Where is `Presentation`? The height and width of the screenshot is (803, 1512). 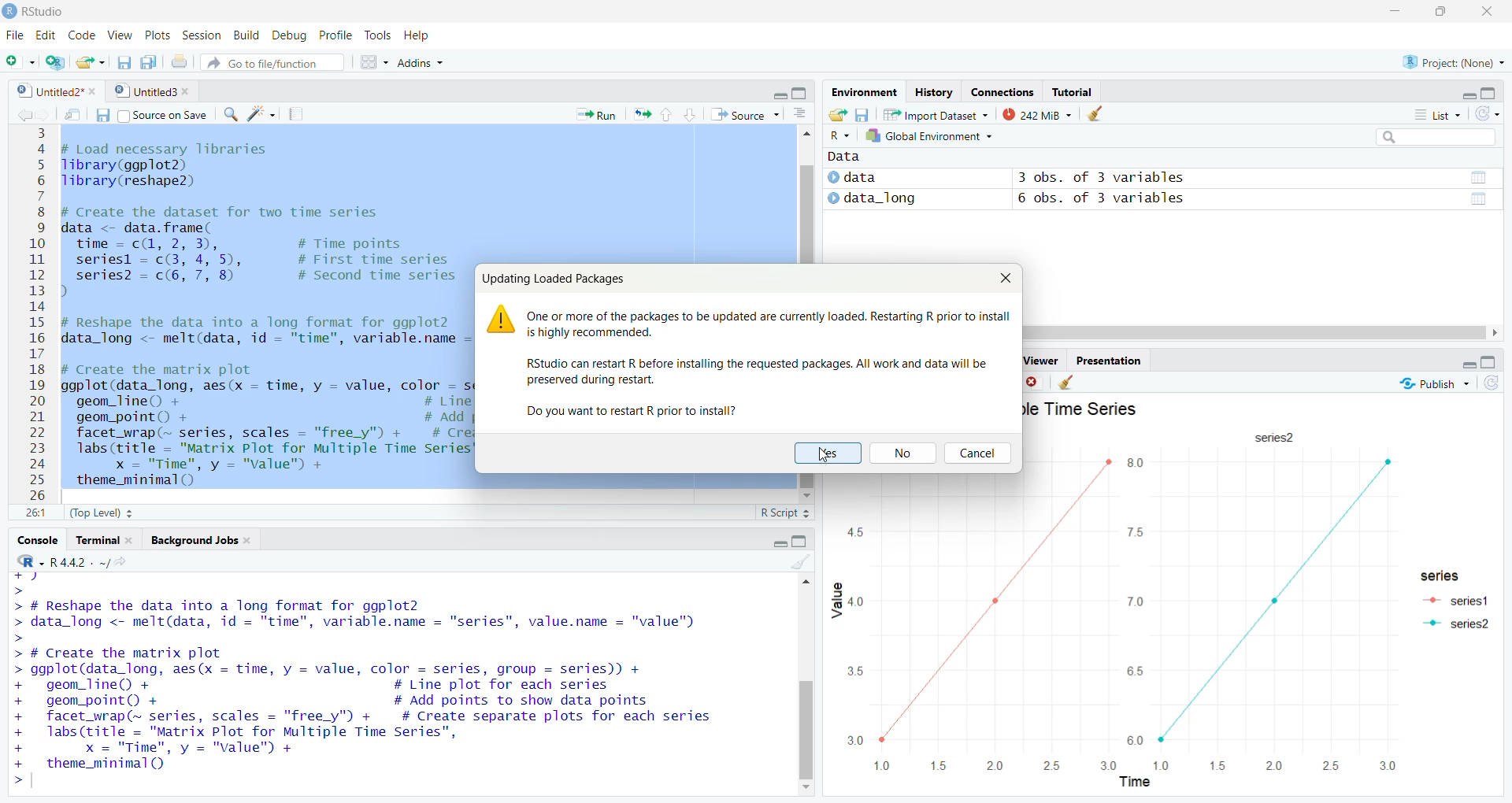 Presentation is located at coordinates (1106, 358).